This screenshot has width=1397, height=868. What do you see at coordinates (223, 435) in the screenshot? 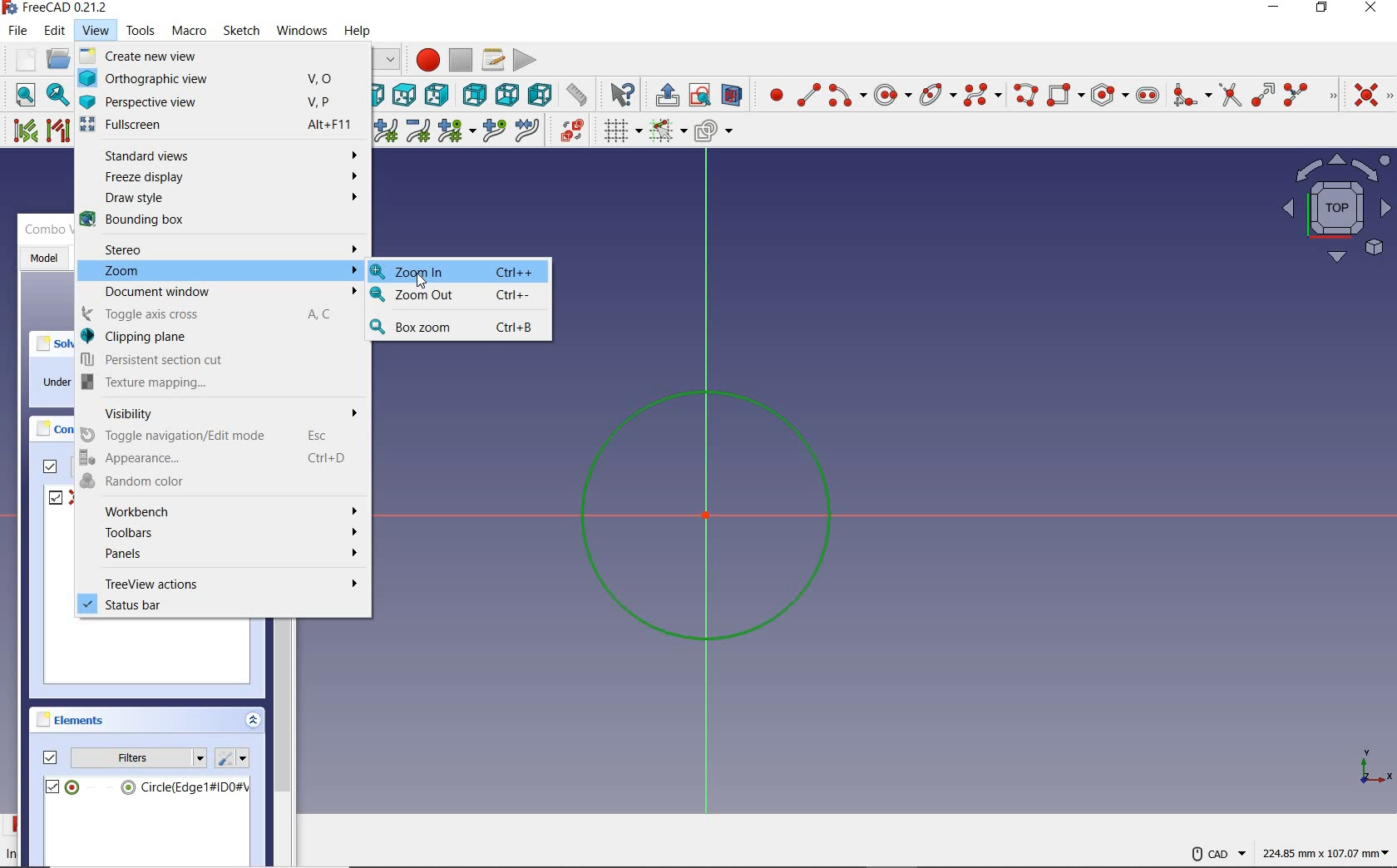
I see `Toggle navigation/Edit mode` at bounding box center [223, 435].